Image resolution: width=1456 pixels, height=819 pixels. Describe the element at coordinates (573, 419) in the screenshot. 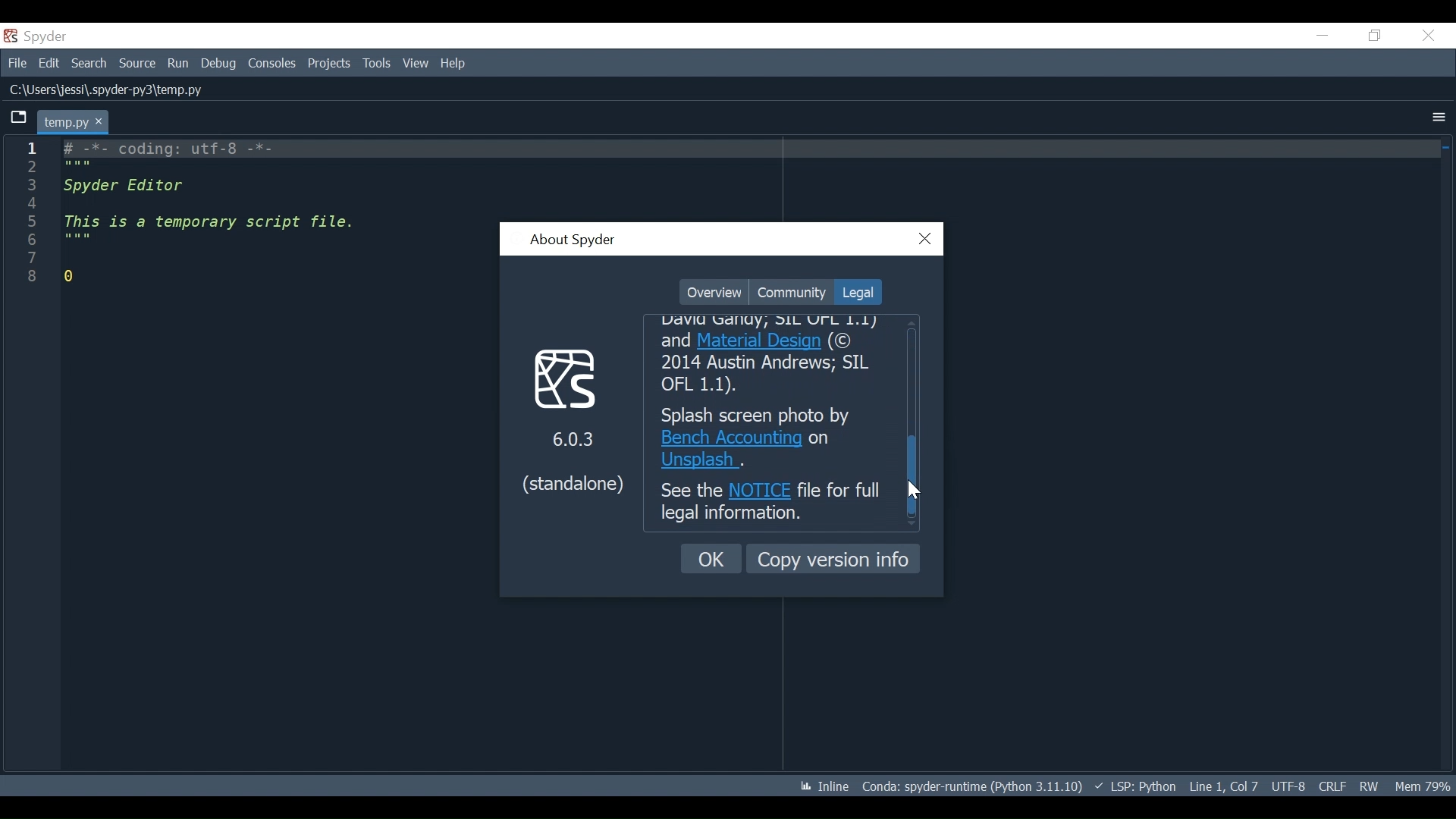

I see `6.0.3 (standalone)` at that location.